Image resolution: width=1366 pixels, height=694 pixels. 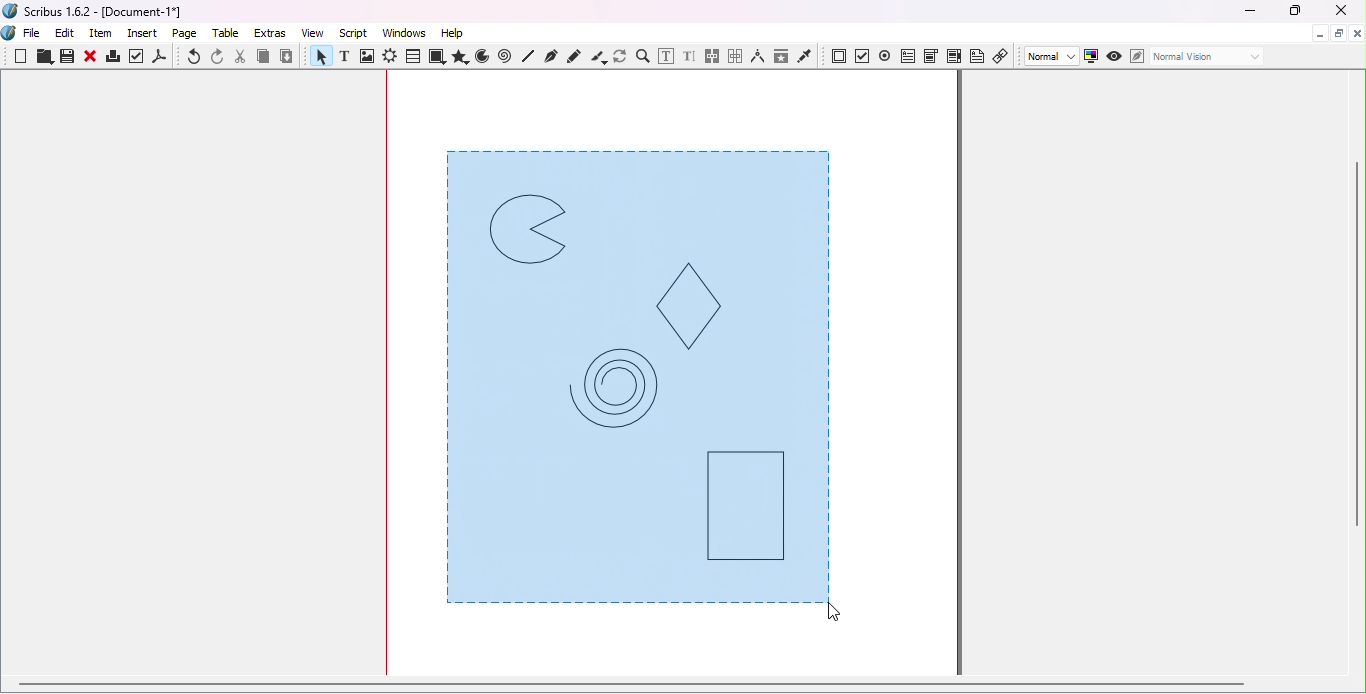 What do you see at coordinates (188, 35) in the screenshot?
I see `Page` at bounding box center [188, 35].